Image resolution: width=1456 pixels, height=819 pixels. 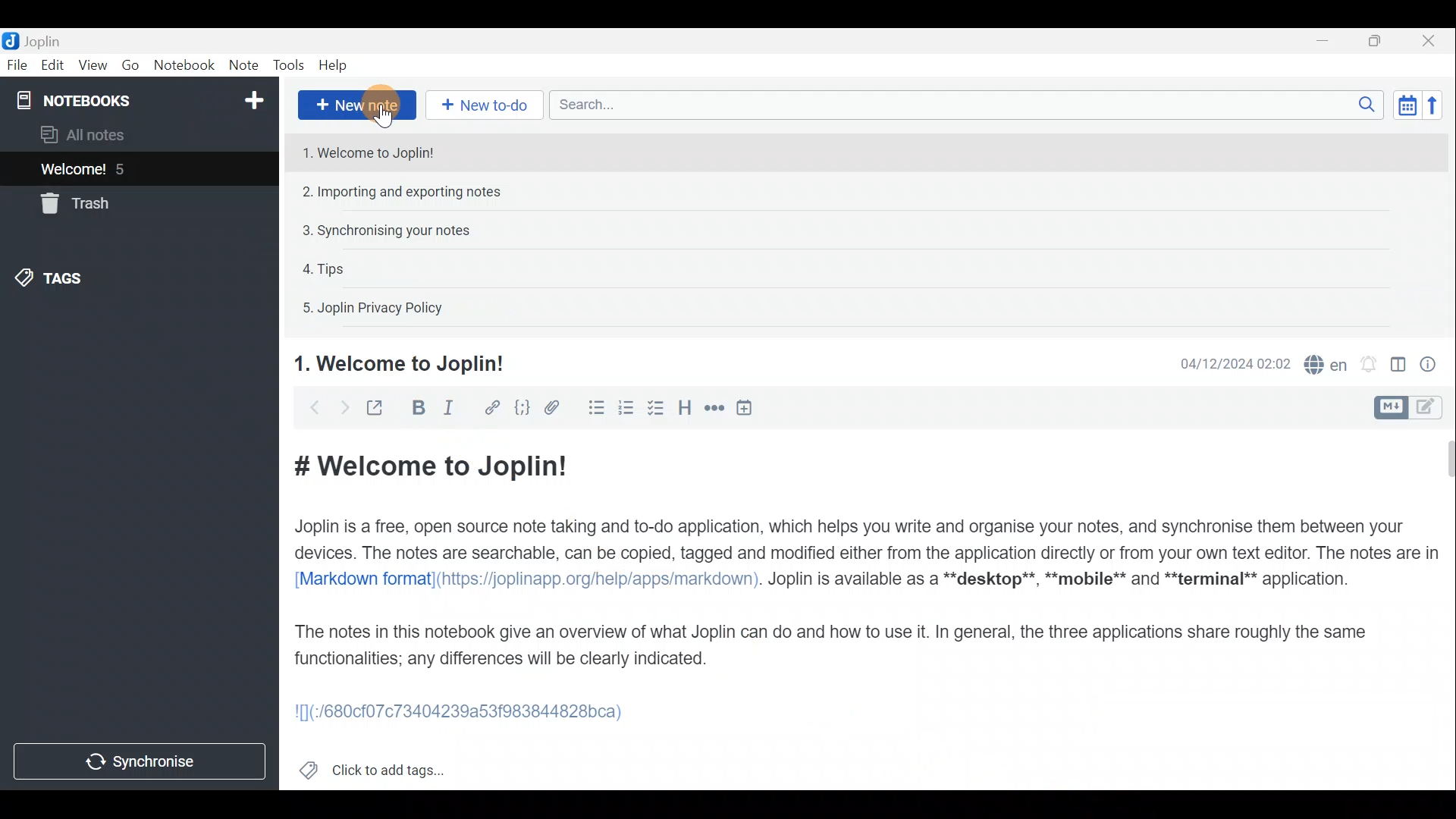 What do you see at coordinates (1429, 42) in the screenshot?
I see `Close` at bounding box center [1429, 42].